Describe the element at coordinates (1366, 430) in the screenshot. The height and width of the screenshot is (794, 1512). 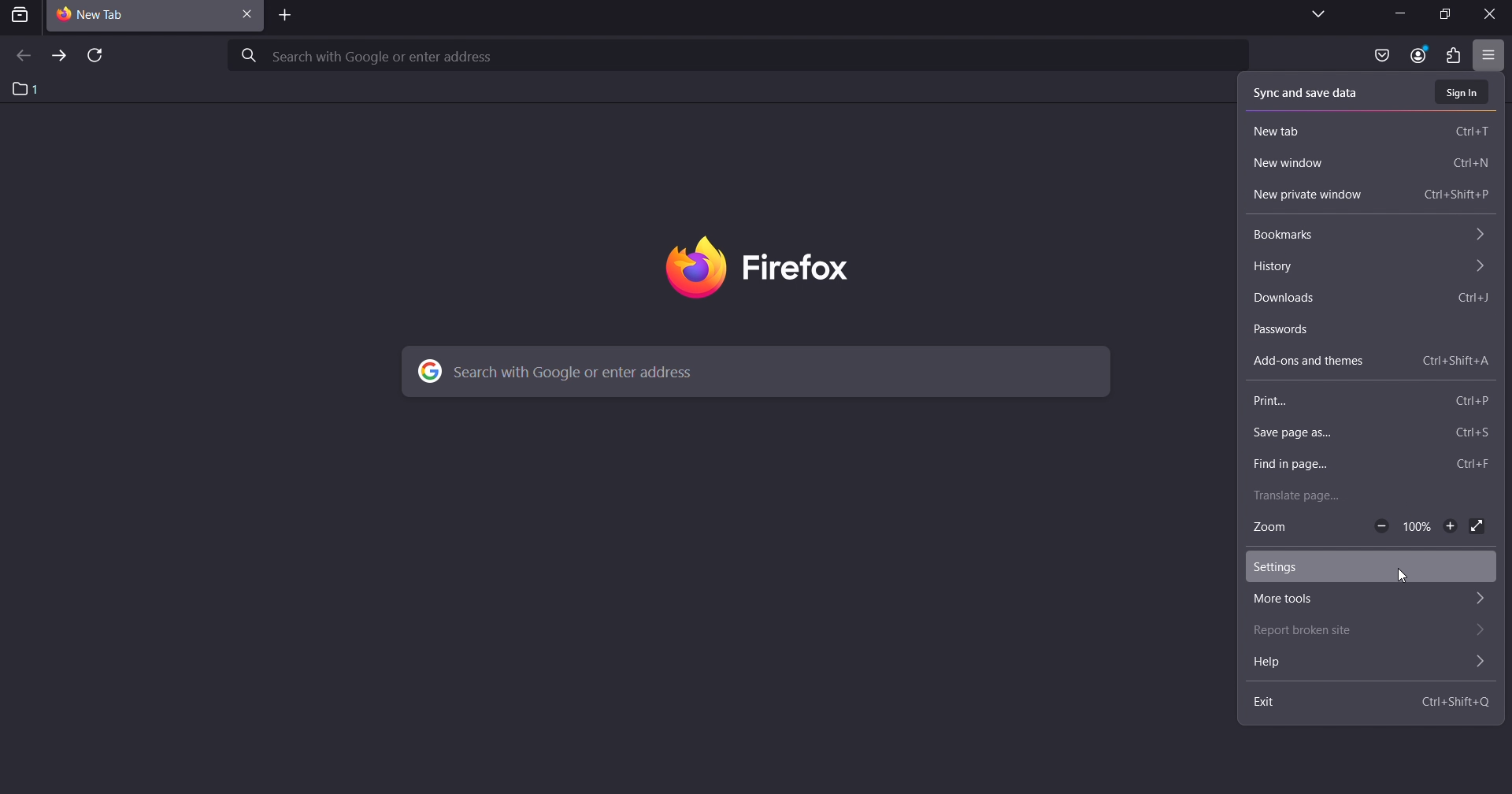
I see `save page as` at that location.